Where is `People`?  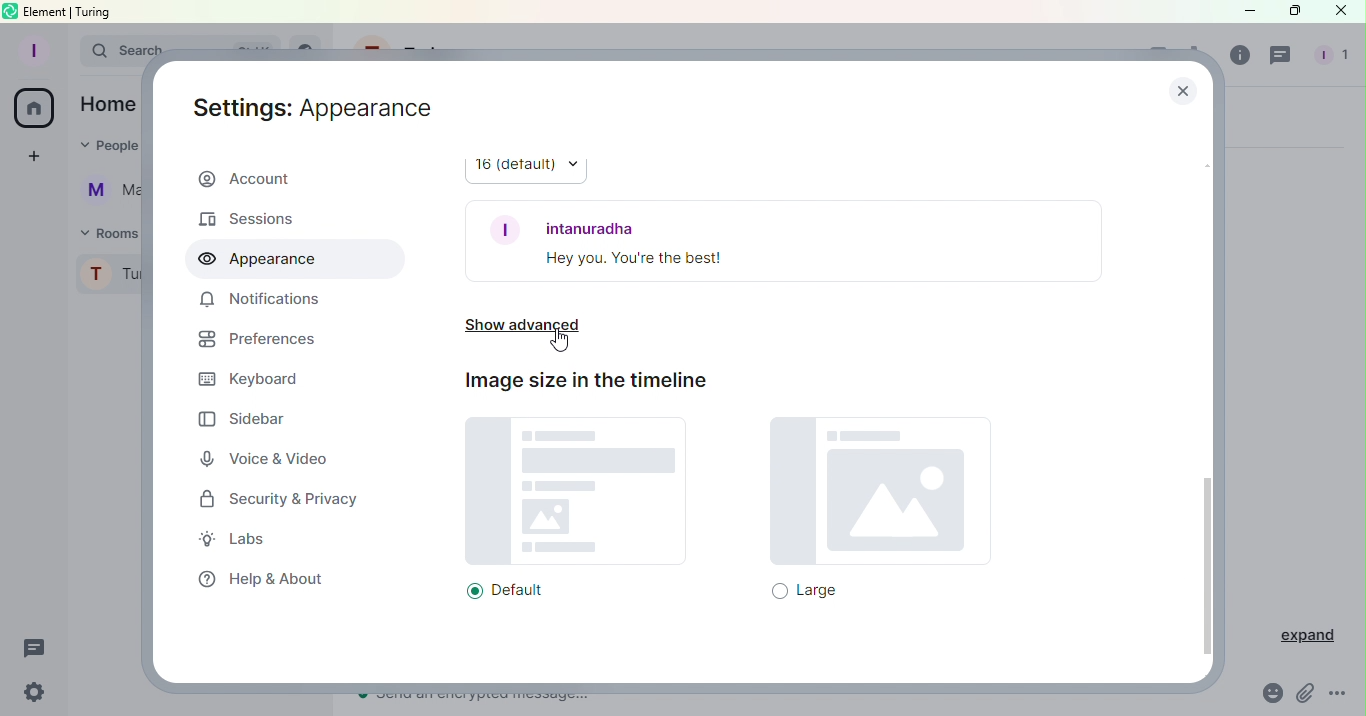 People is located at coordinates (109, 148).